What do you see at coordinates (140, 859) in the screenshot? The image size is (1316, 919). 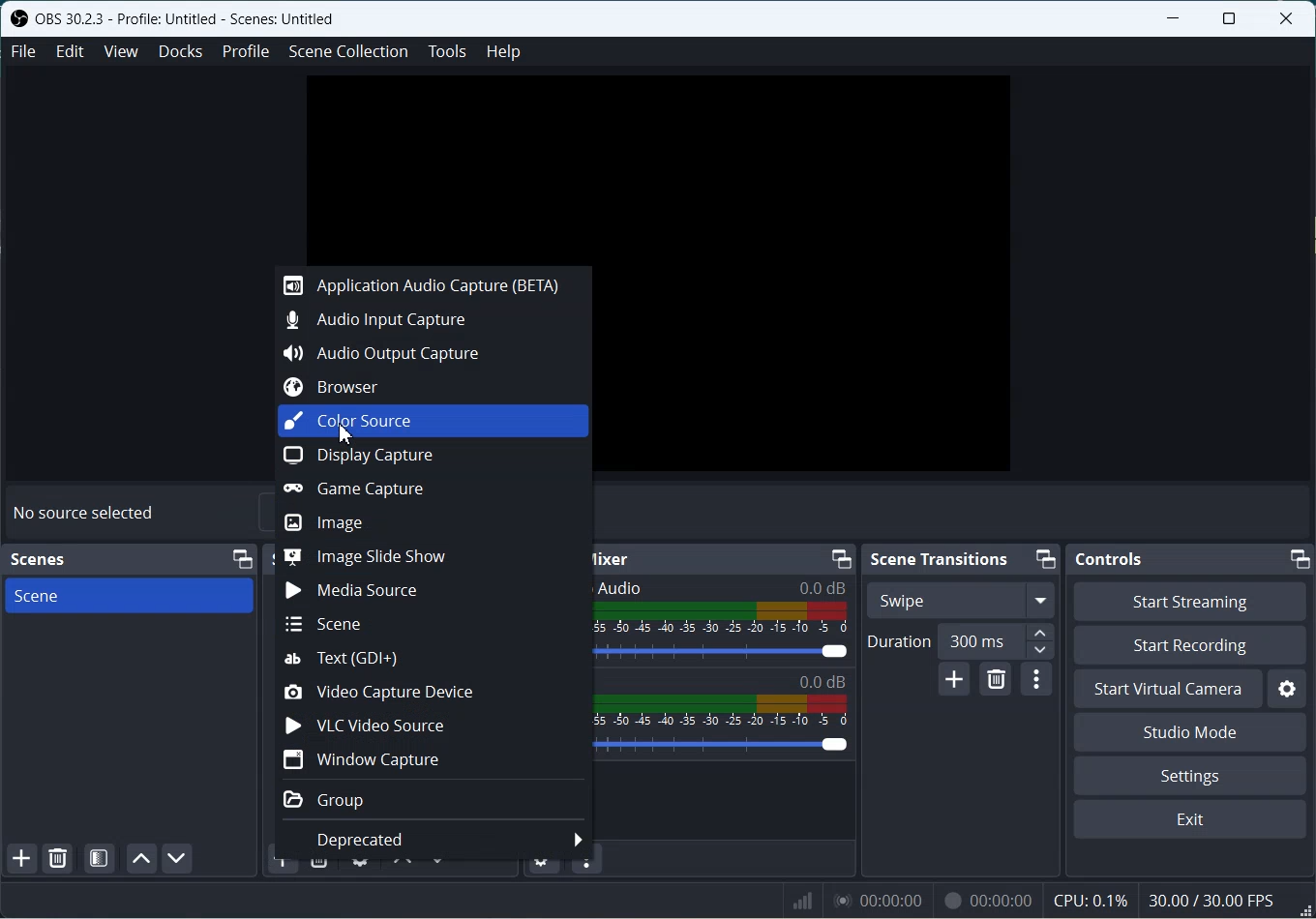 I see `Move scene up` at bounding box center [140, 859].